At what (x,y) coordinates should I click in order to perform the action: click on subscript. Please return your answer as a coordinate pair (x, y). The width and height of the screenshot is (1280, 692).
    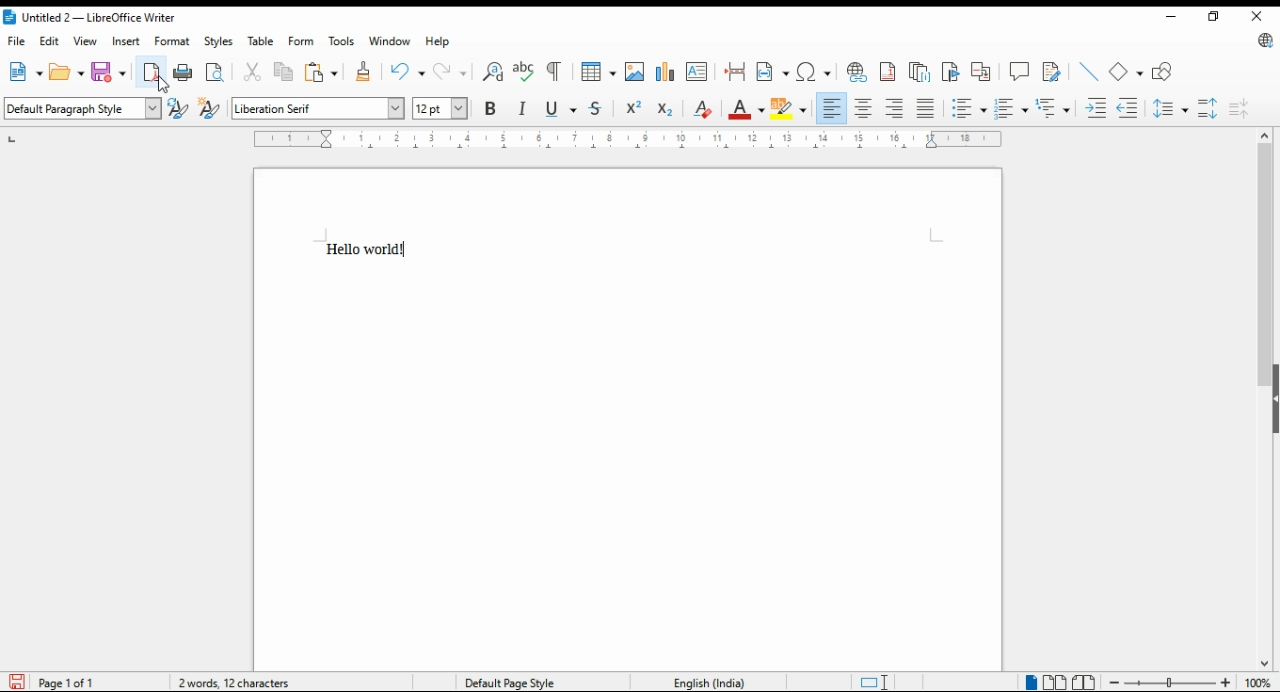
    Looking at the image, I should click on (664, 110).